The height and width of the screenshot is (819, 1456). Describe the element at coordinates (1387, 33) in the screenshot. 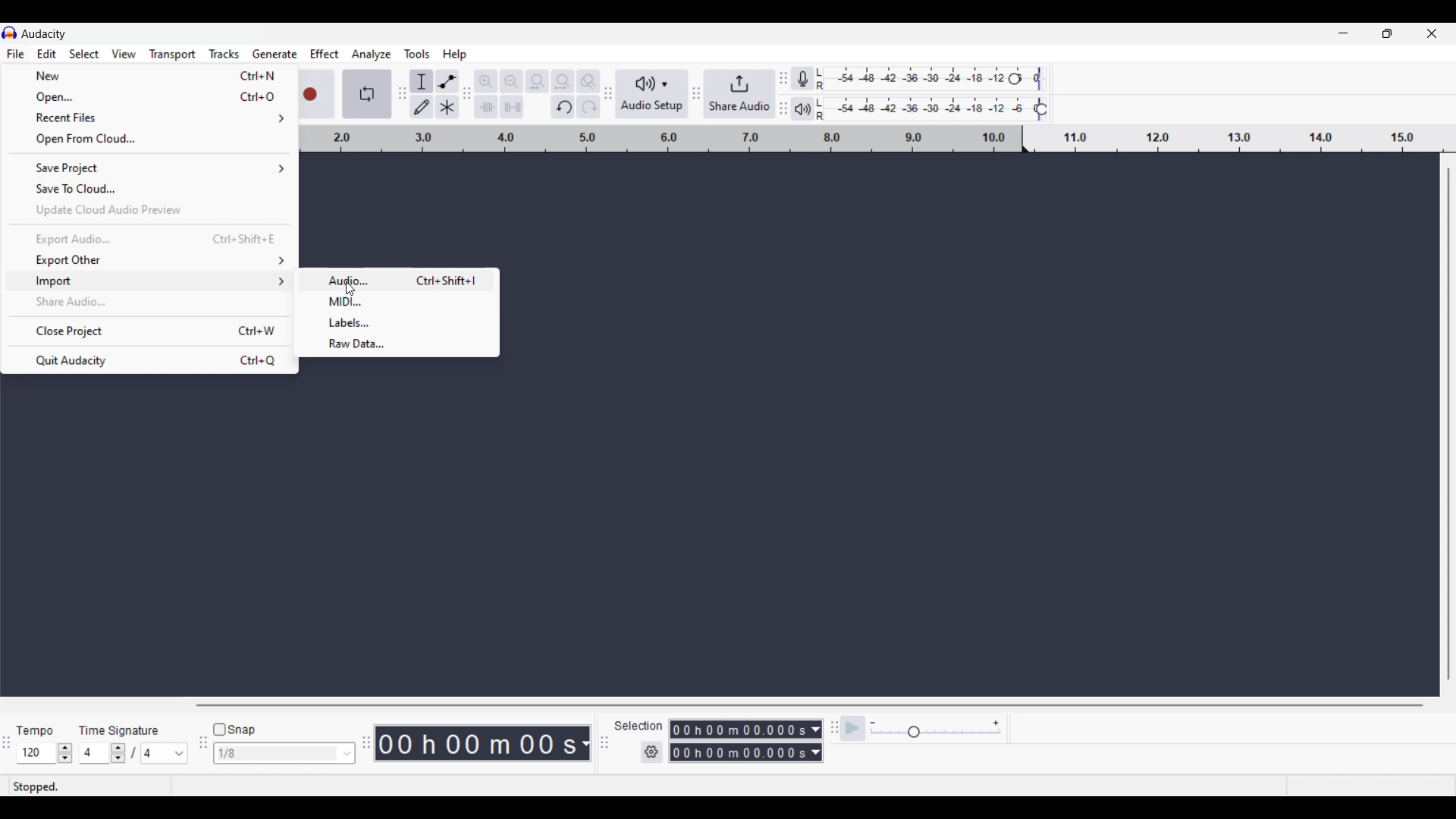

I see `Show interface in a smaller tab` at that location.